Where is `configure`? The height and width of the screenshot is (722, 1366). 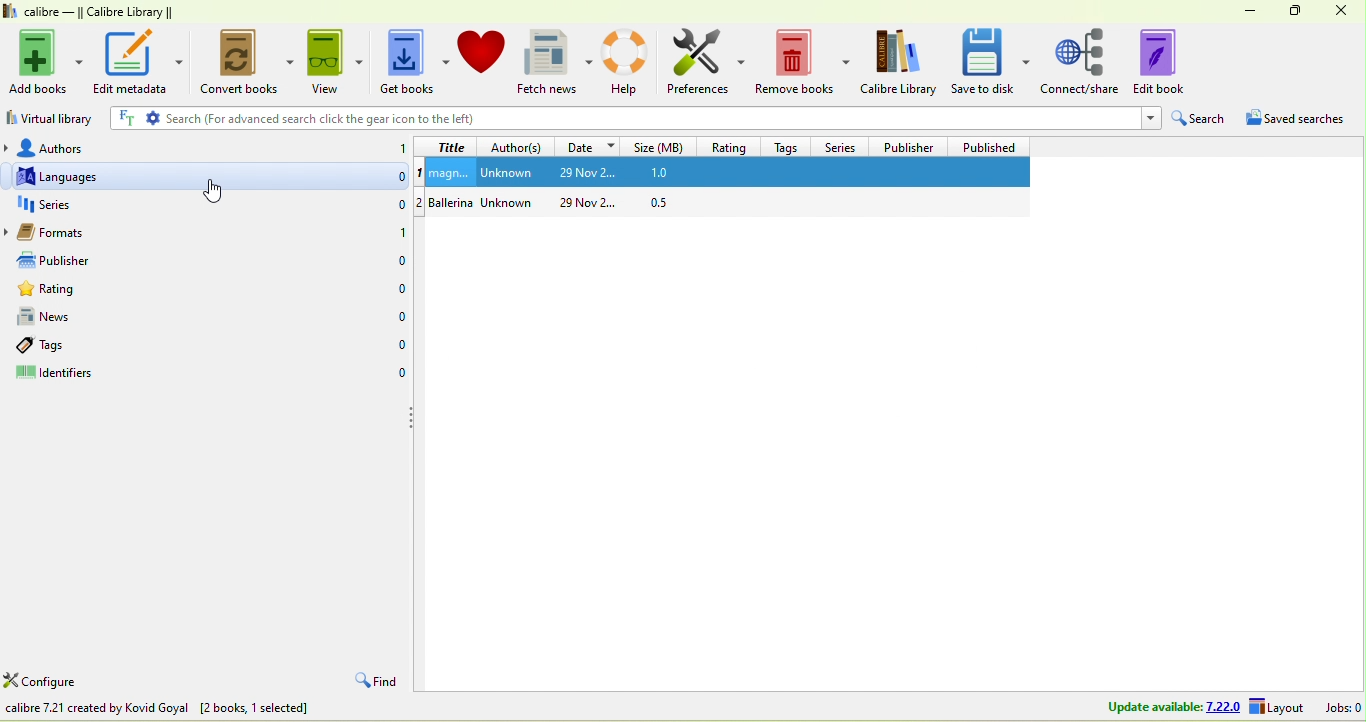 configure is located at coordinates (47, 681).